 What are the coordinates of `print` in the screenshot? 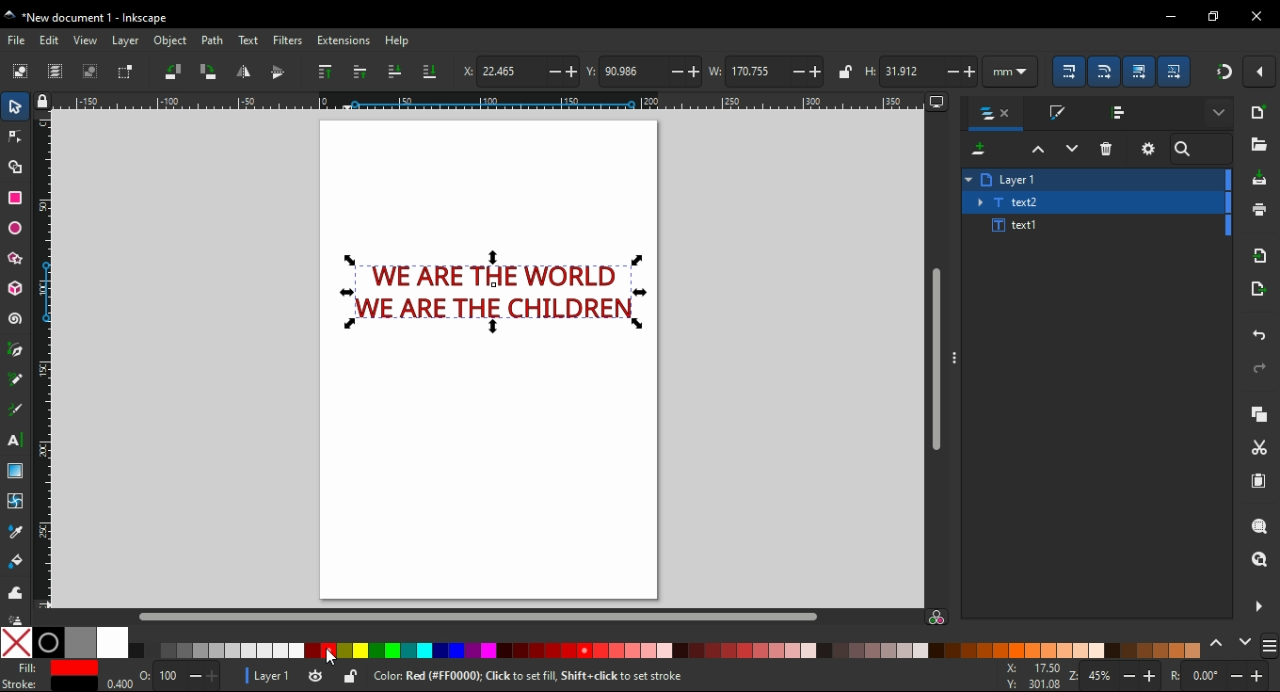 It's located at (1259, 211).